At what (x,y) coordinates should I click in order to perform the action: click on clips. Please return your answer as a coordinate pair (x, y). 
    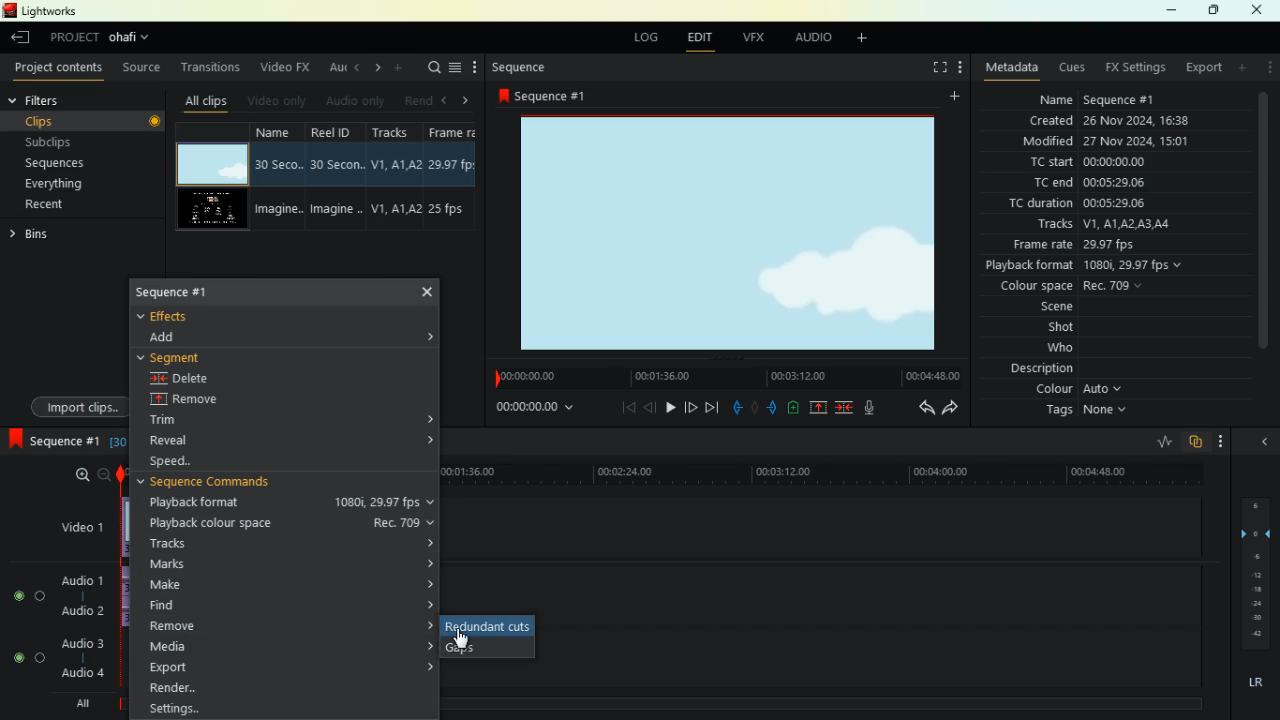
    Looking at the image, I should click on (82, 120).